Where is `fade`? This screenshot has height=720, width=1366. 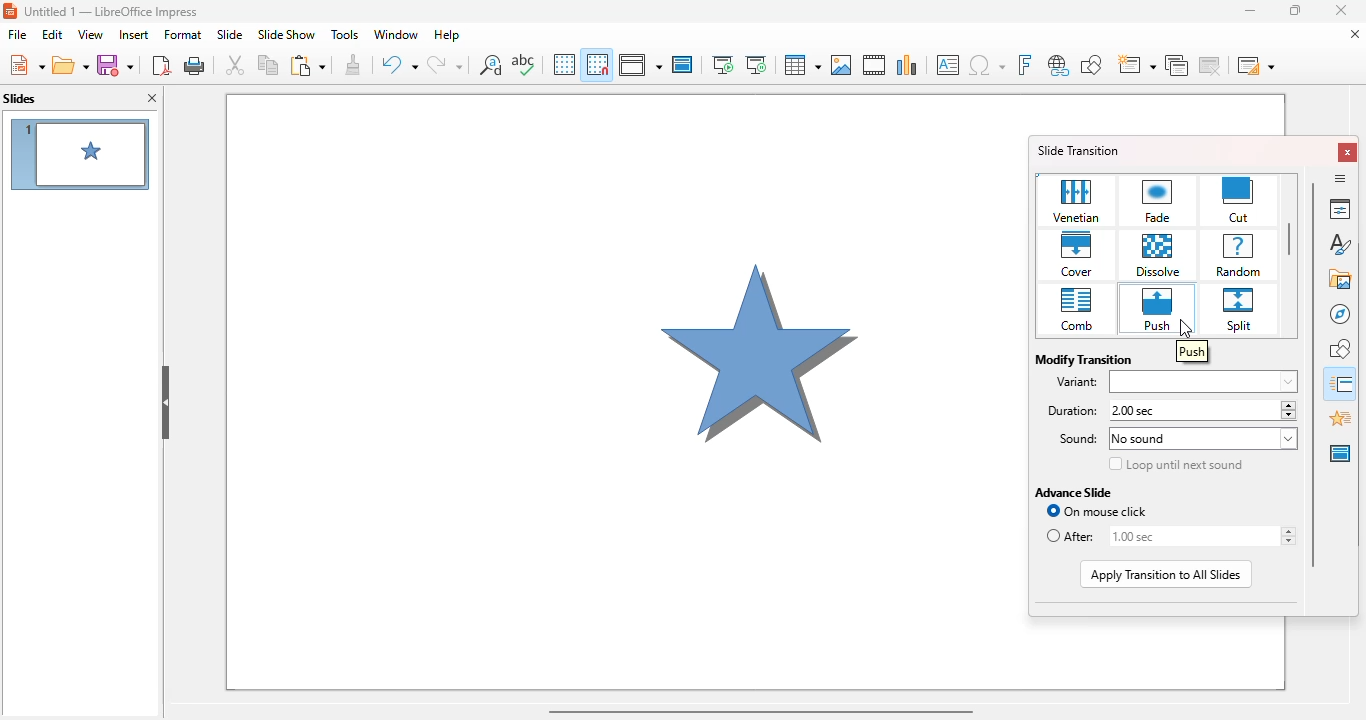
fade is located at coordinates (1159, 201).